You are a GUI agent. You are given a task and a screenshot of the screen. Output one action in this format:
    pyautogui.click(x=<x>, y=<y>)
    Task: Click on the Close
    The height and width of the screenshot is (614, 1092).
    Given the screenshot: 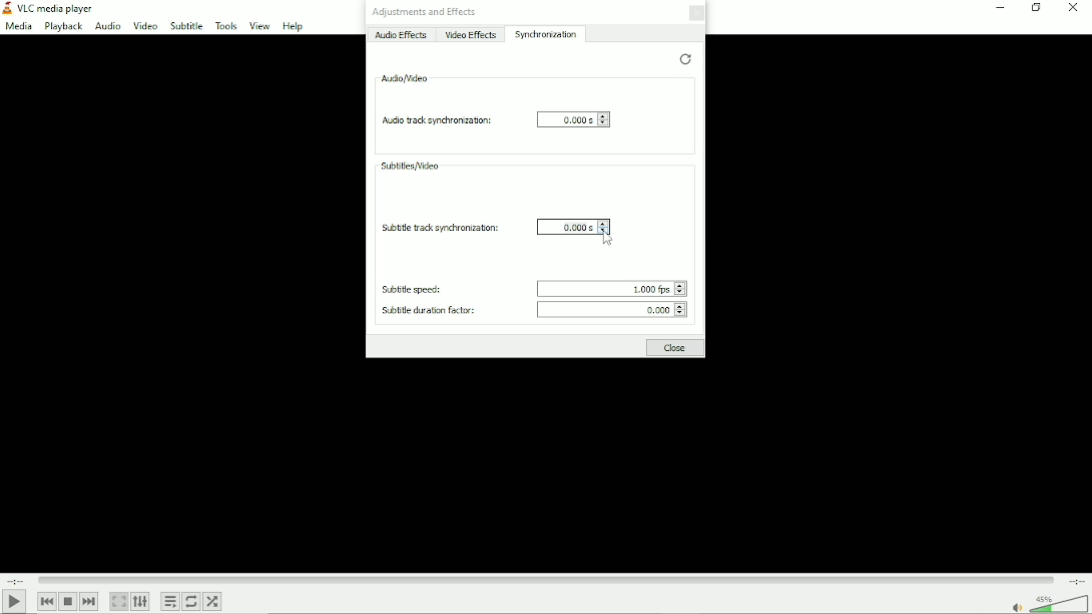 What is the action you would take?
    pyautogui.click(x=695, y=13)
    